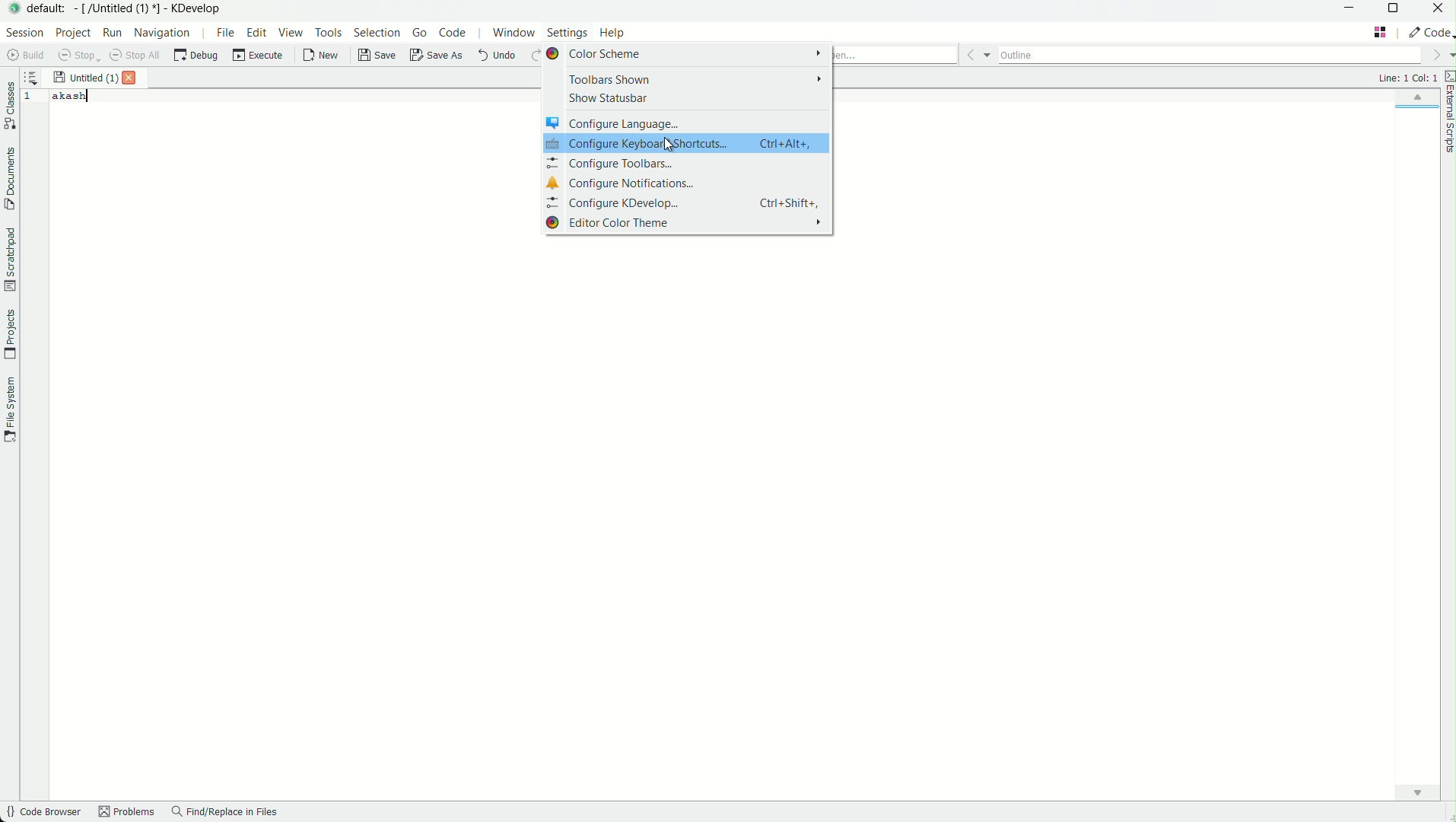 The height and width of the screenshot is (822, 1456). Describe the element at coordinates (225, 813) in the screenshot. I see `find/replace in files` at that location.